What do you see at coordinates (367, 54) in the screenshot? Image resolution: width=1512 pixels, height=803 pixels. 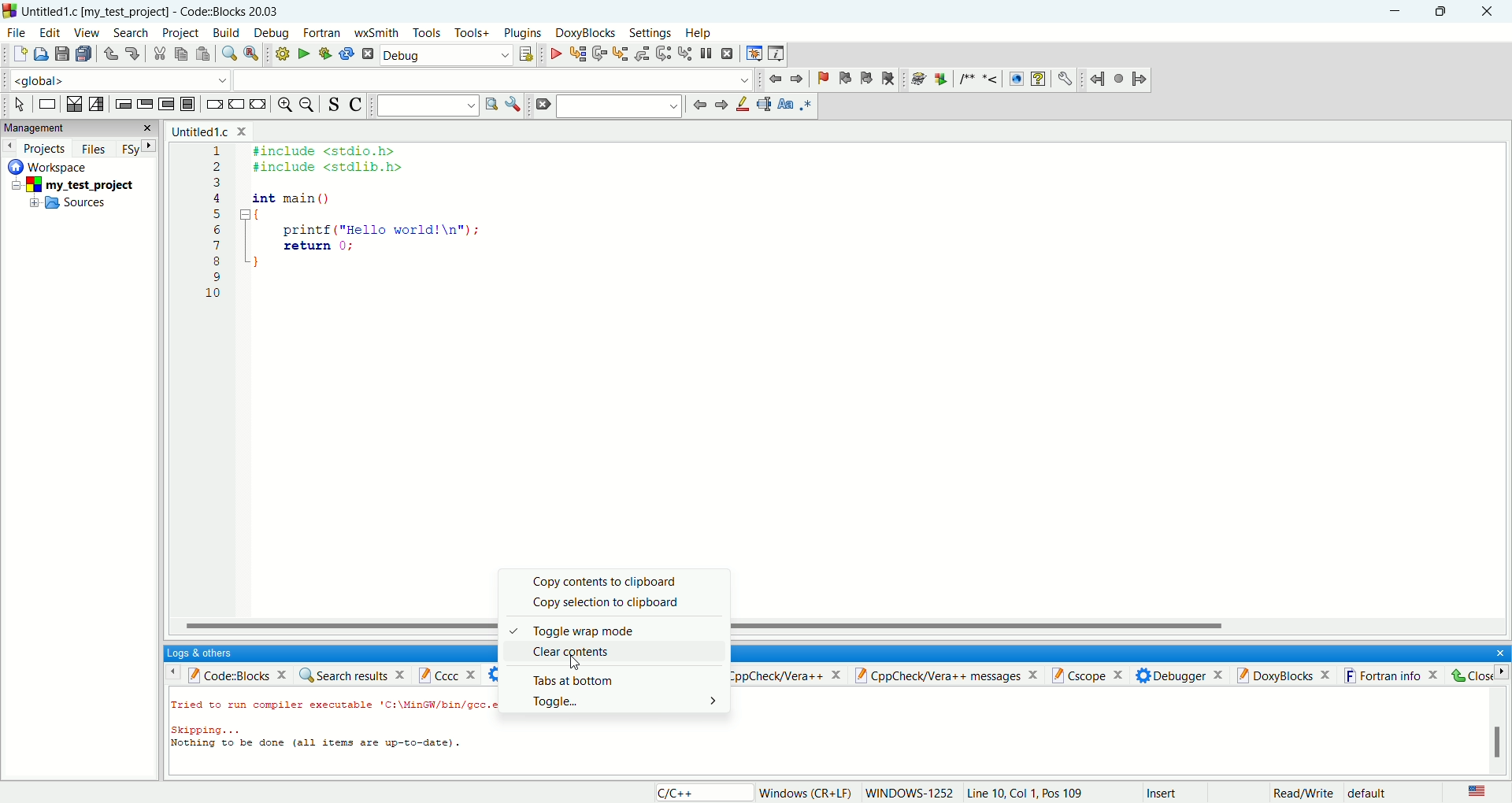 I see `abort` at bounding box center [367, 54].